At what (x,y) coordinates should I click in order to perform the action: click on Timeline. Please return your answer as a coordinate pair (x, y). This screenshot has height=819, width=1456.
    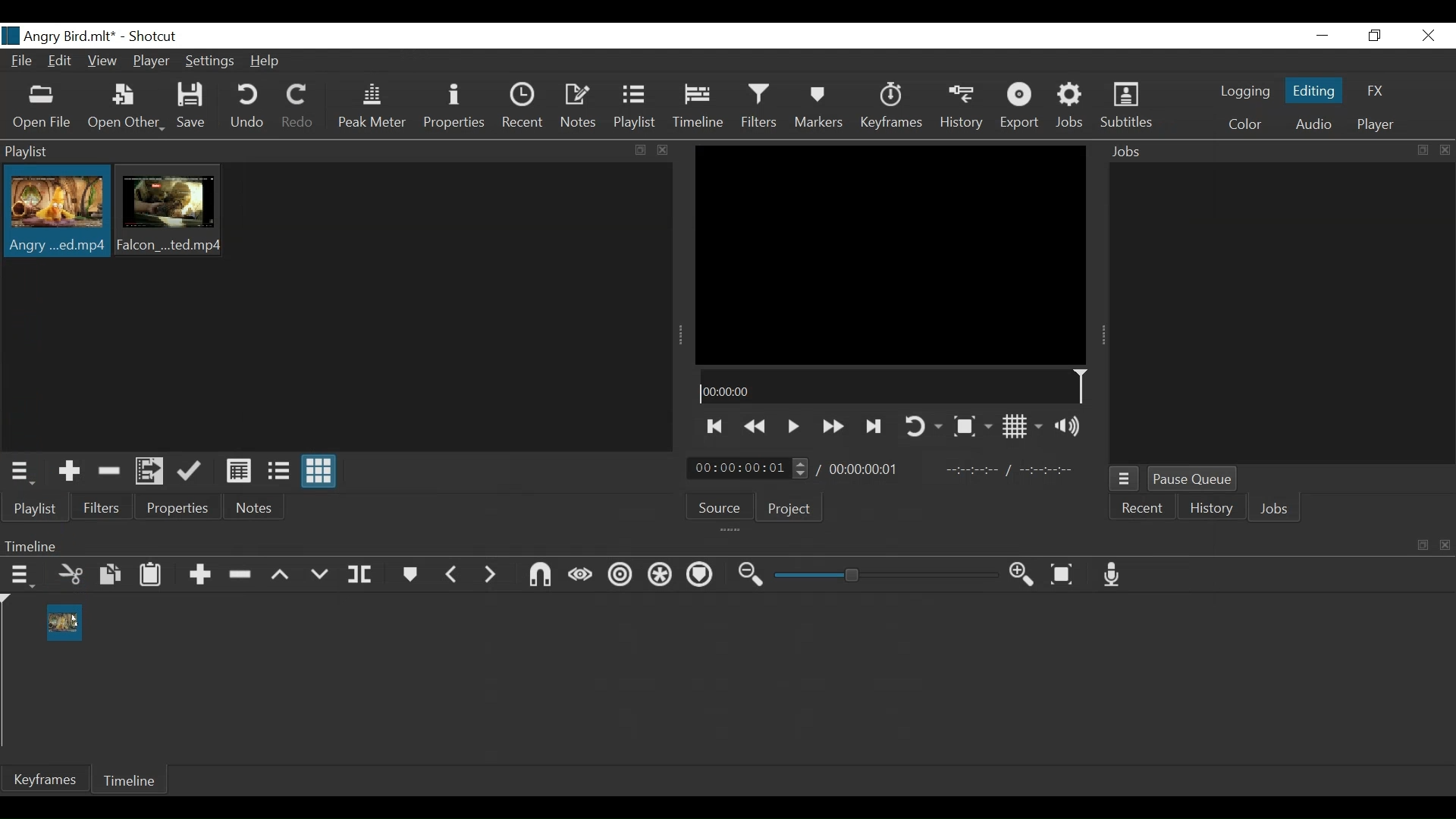
    Looking at the image, I should click on (893, 386).